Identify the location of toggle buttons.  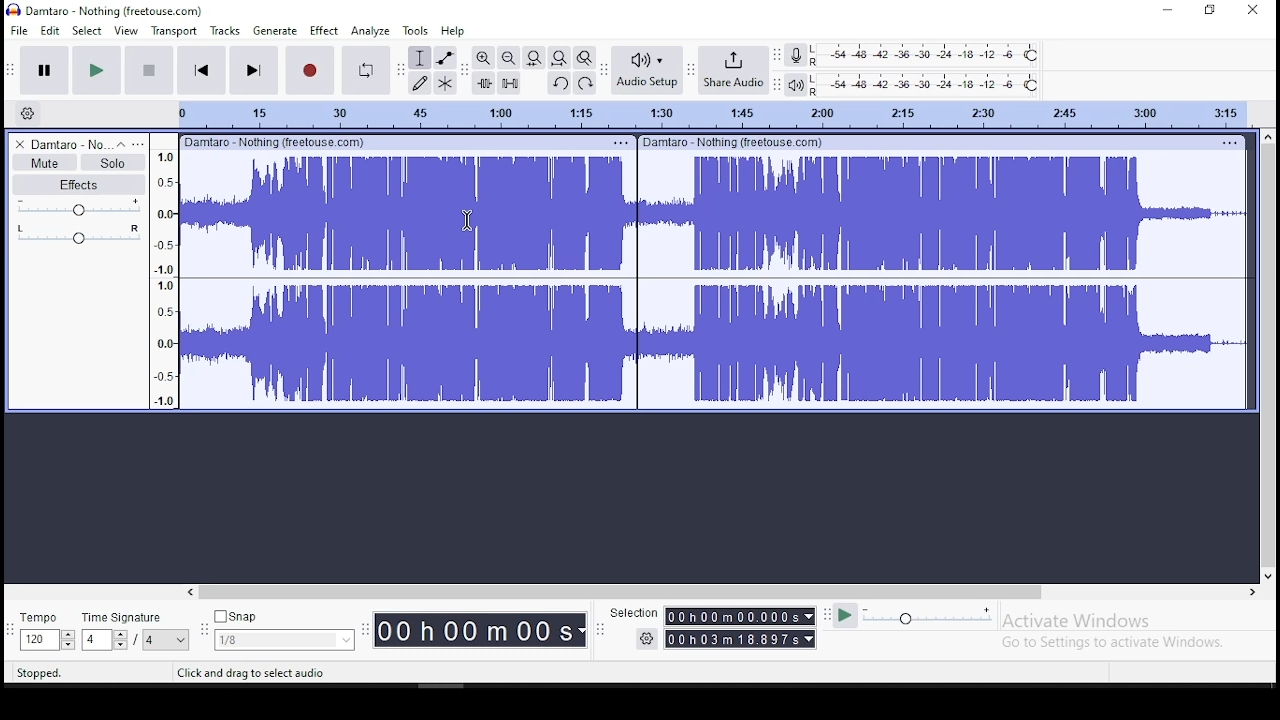
(106, 640).